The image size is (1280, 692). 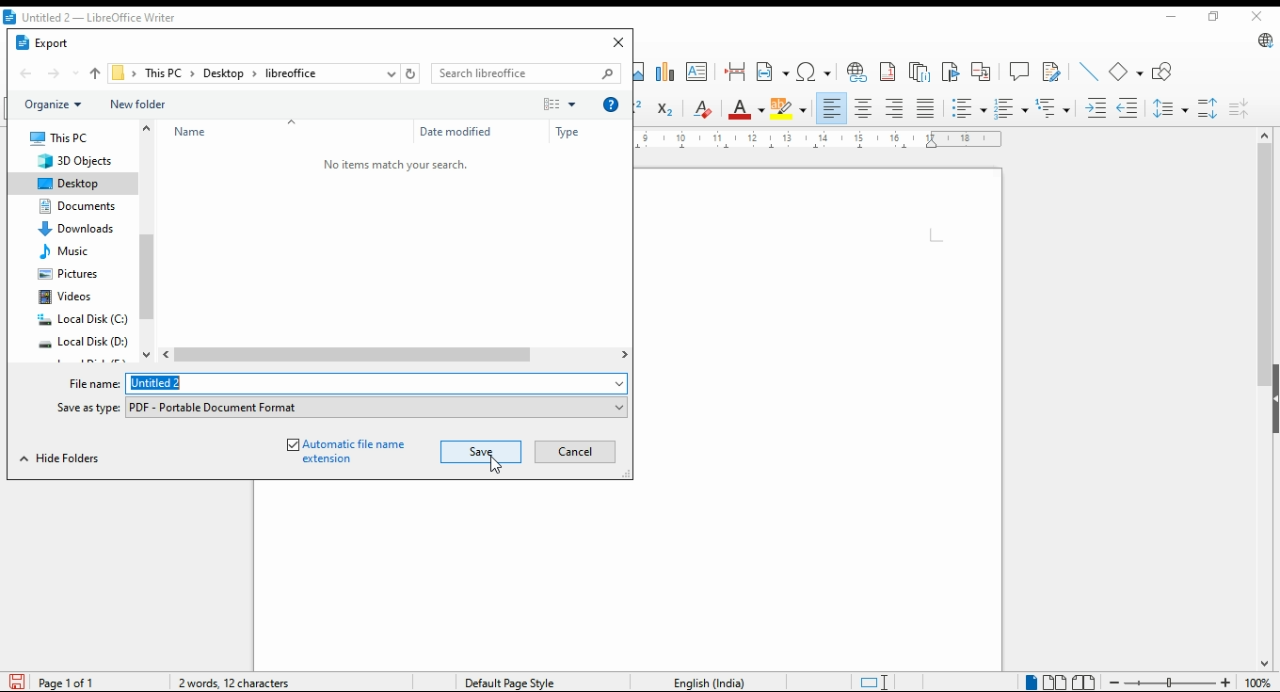 I want to click on File name, so click(x=378, y=383).